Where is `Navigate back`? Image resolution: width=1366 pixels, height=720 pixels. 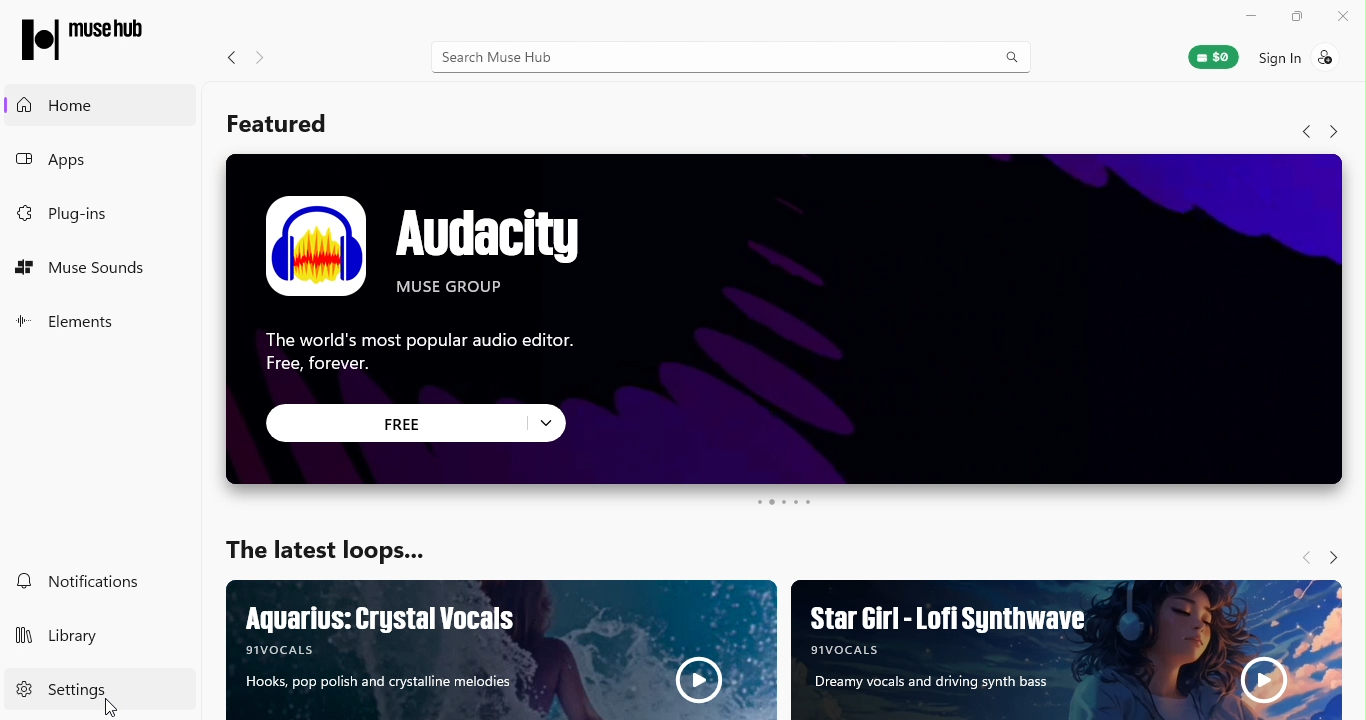 Navigate back is located at coordinates (1305, 131).